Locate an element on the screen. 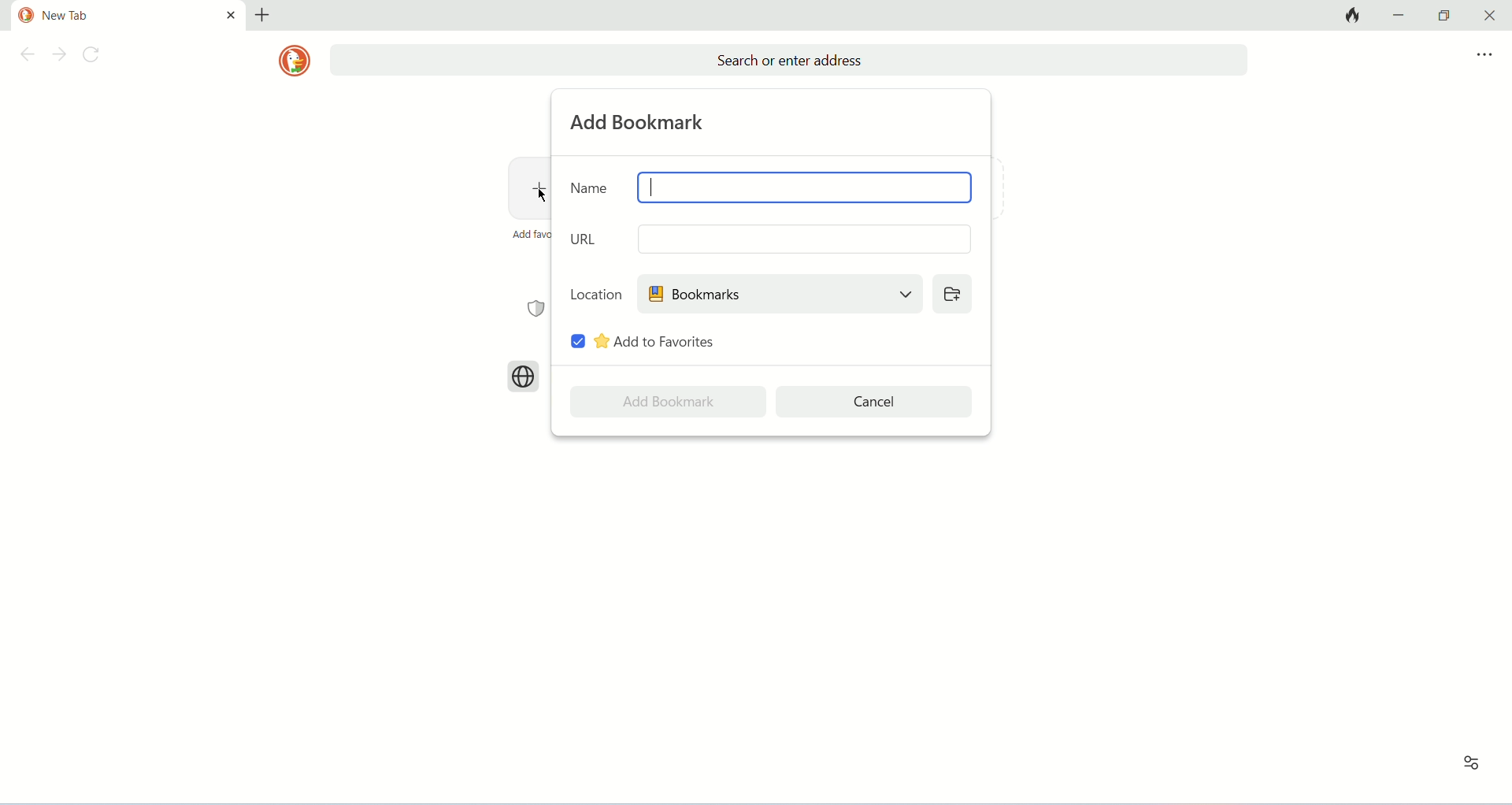 This screenshot has height=805, width=1512. add folder is located at coordinates (951, 293).